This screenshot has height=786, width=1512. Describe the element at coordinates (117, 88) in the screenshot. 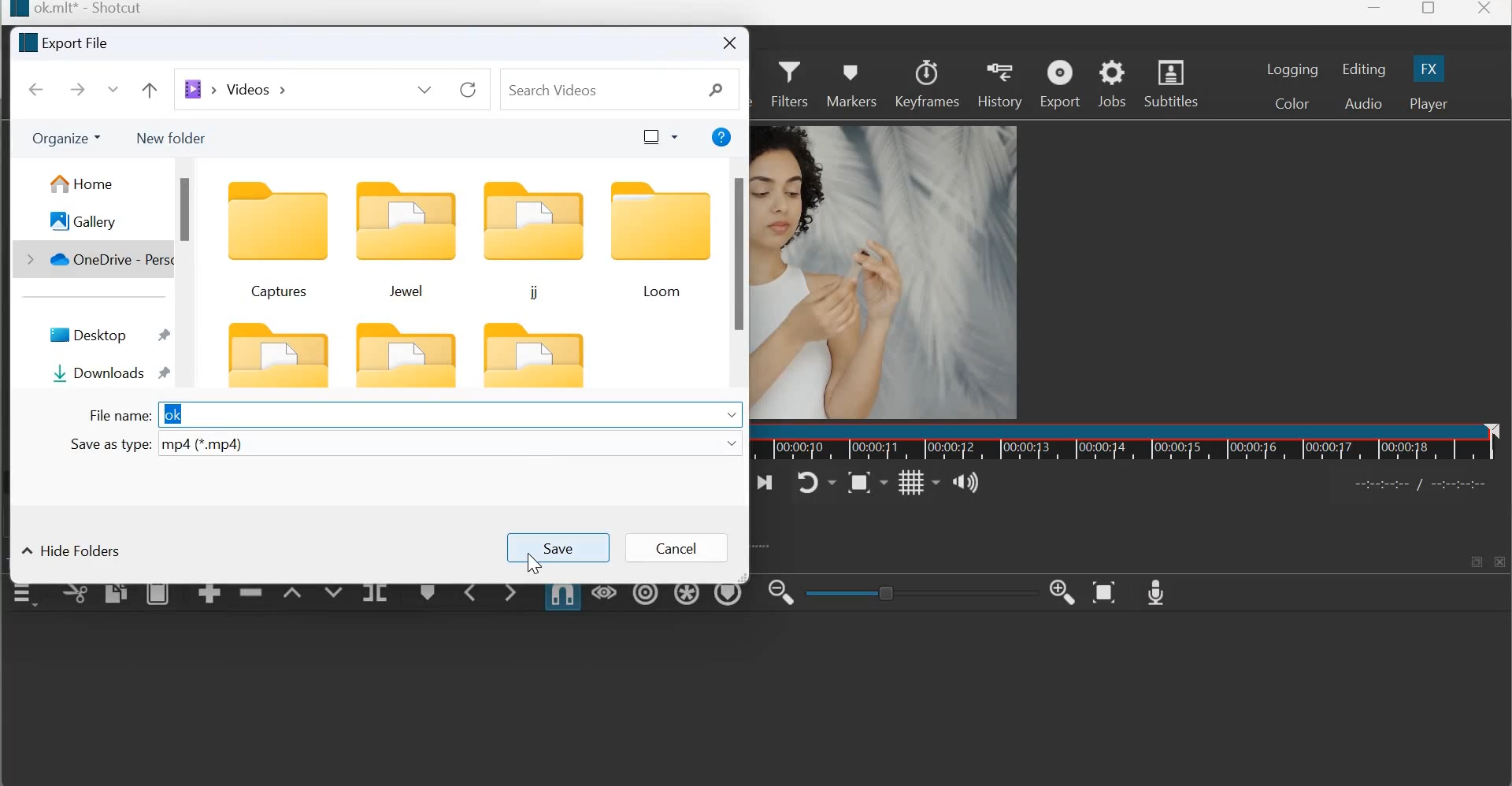

I see `recent locations` at that location.